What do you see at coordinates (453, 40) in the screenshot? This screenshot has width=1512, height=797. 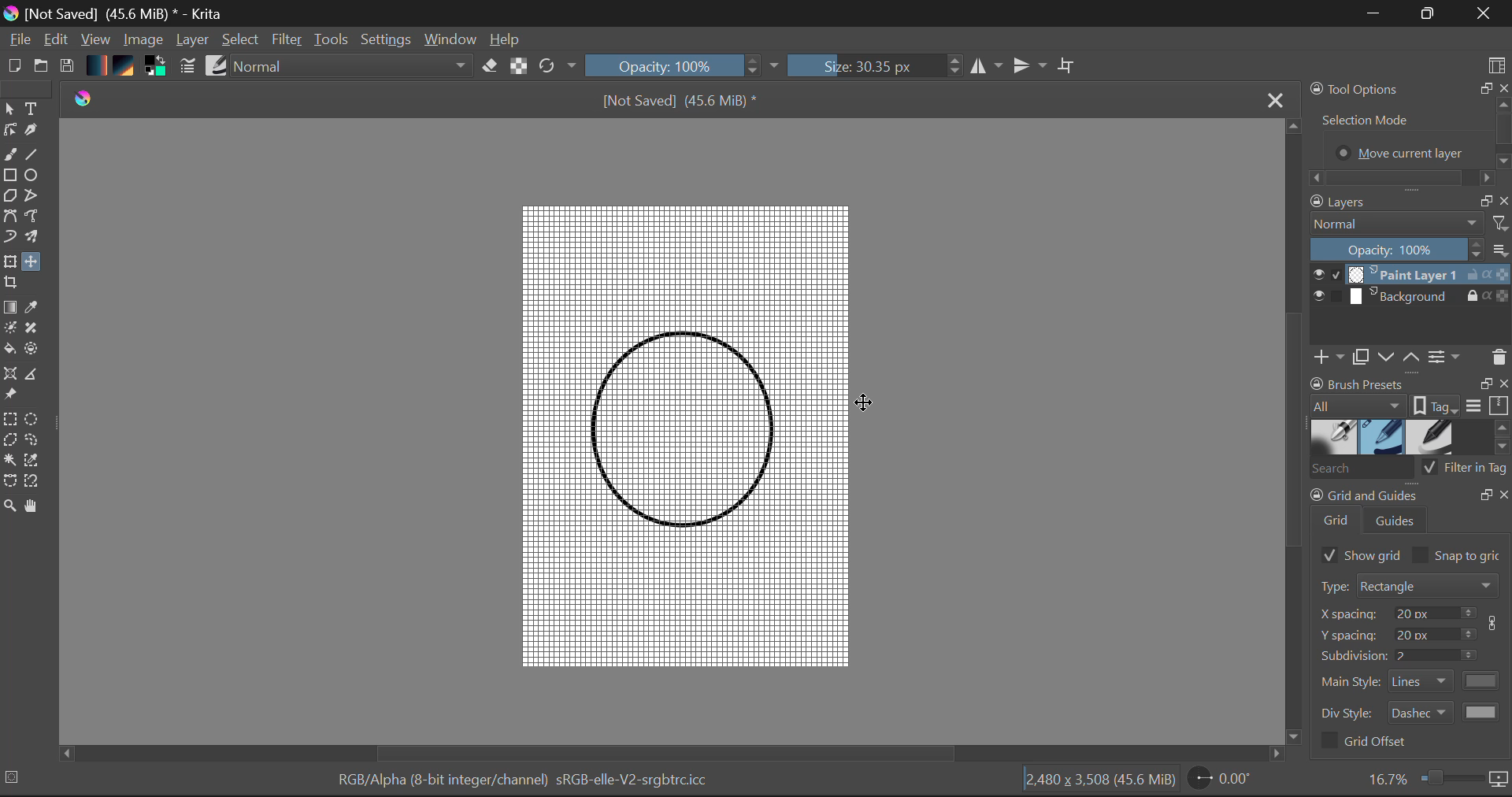 I see `Window` at bounding box center [453, 40].